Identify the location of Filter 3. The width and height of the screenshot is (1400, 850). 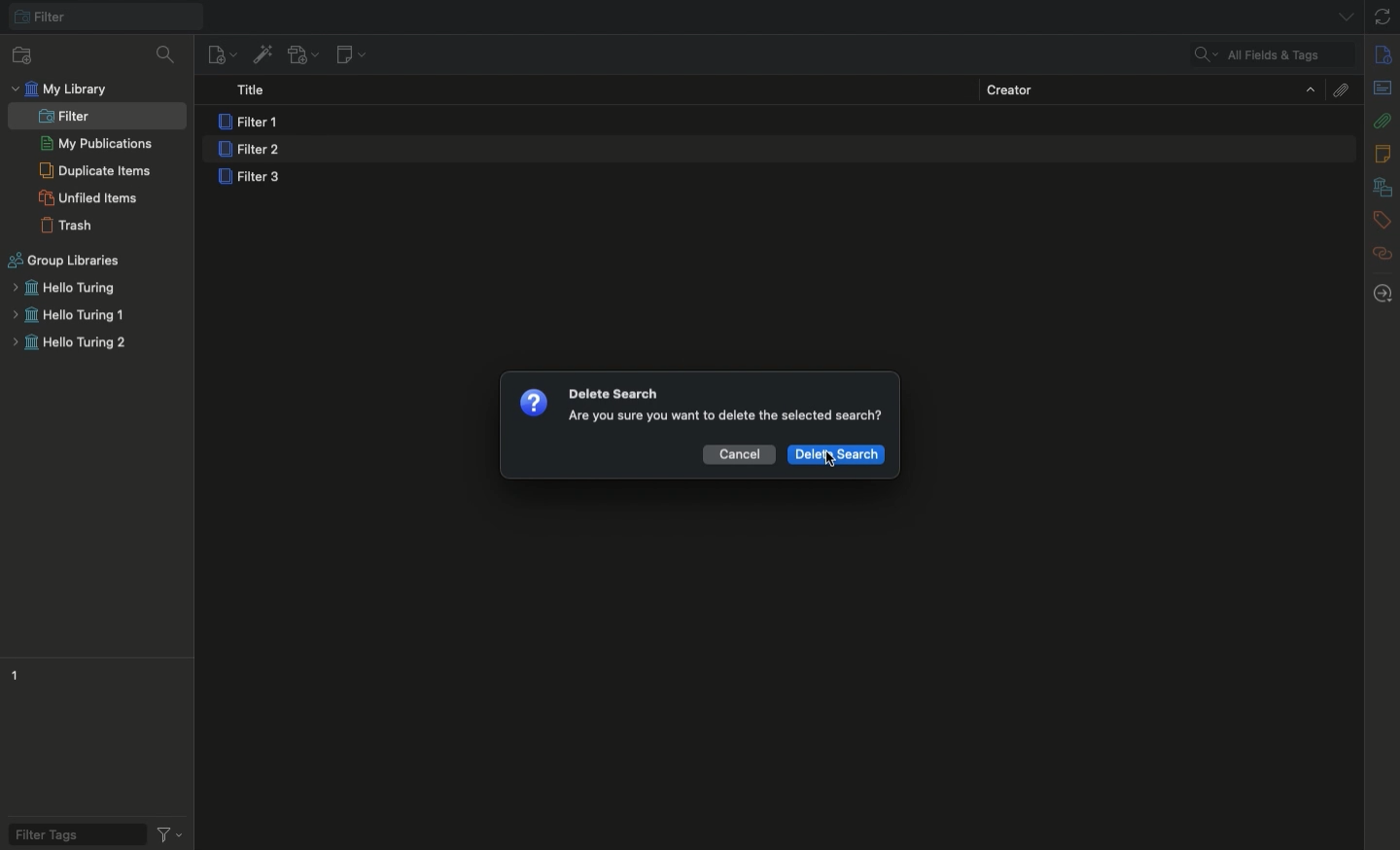
(254, 179).